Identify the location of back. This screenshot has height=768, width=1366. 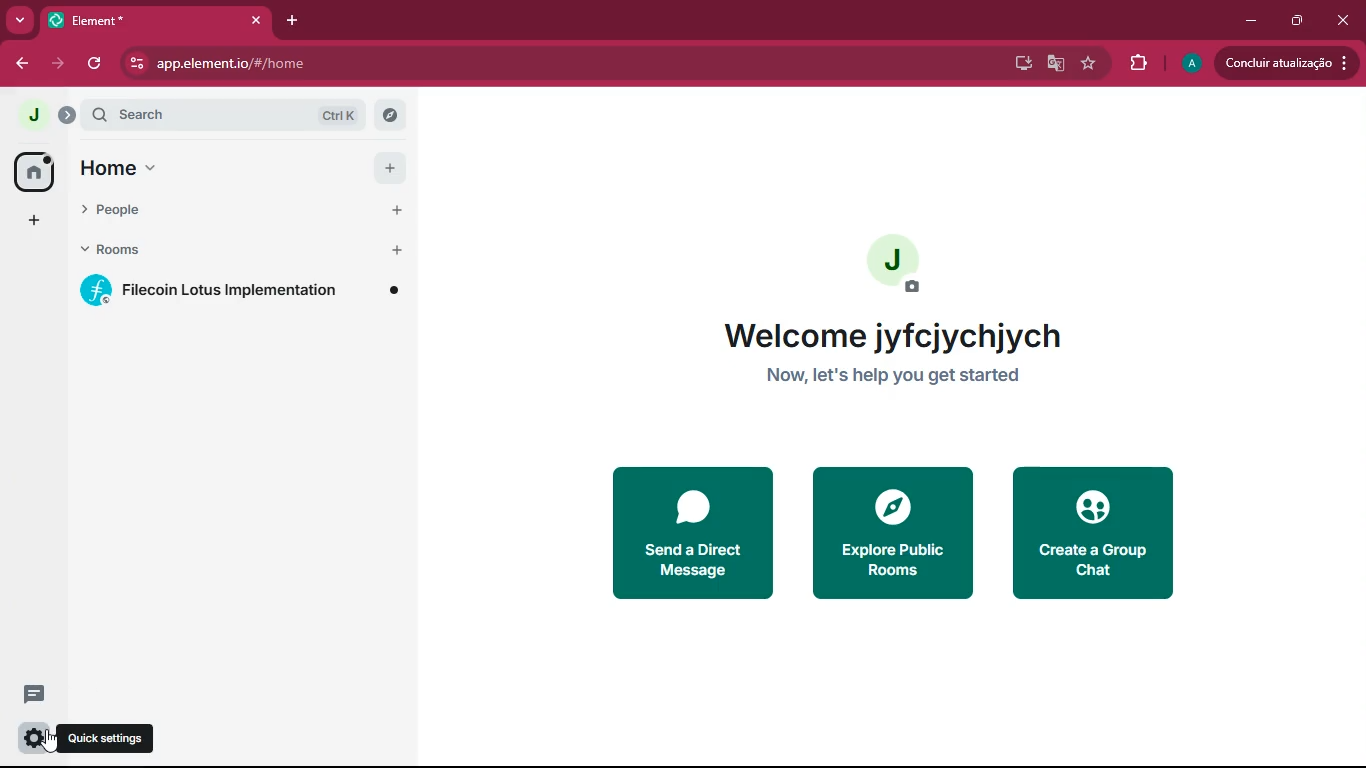
(18, 61).